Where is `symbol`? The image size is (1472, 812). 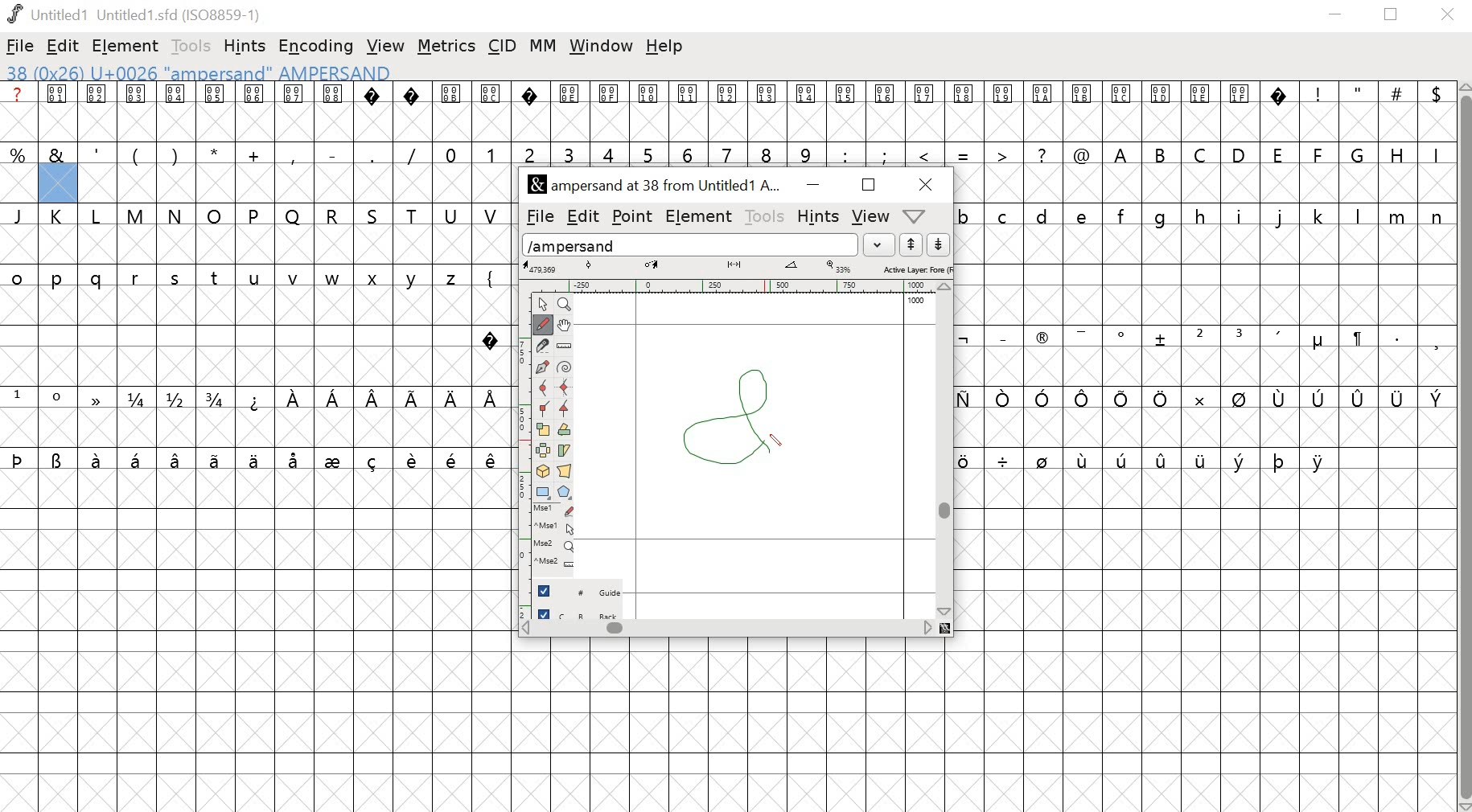 symbol is located at coordinates (1240, 459).